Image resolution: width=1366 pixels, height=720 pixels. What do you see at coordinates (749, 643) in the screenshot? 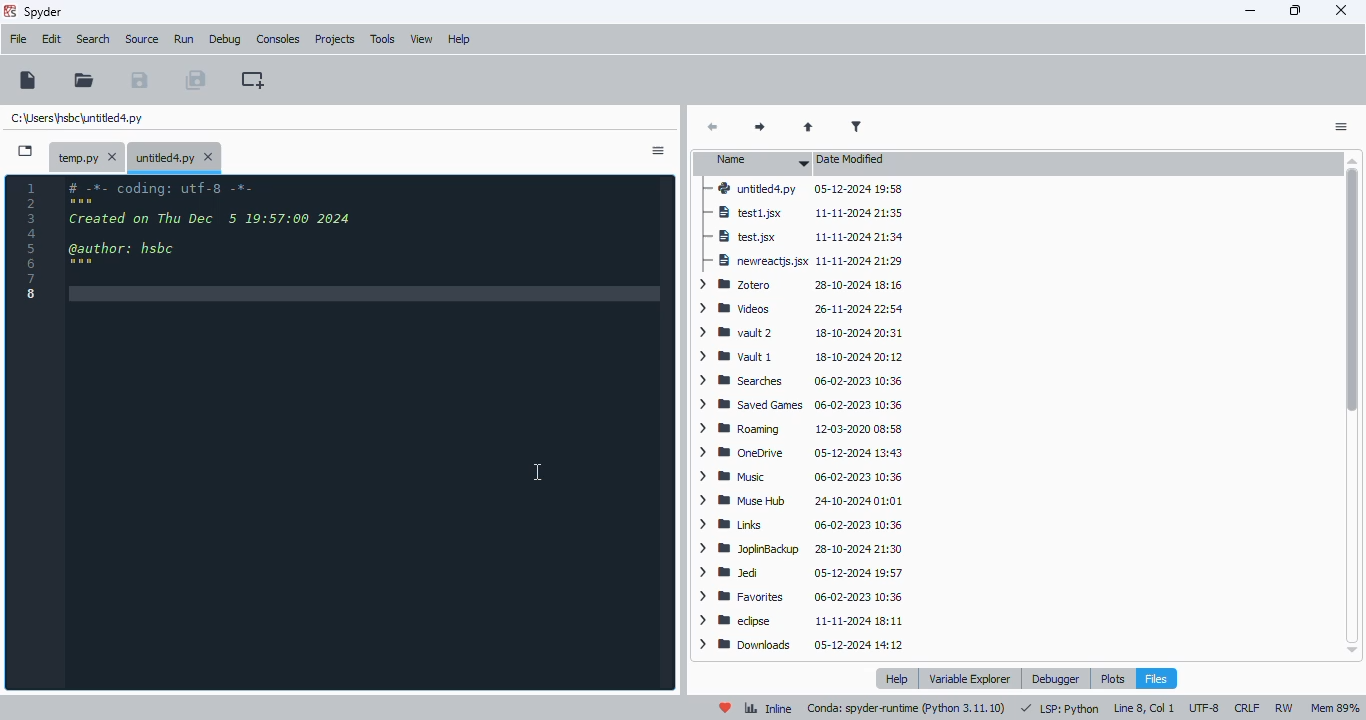
I see `downloads` at bounding box center [749, 643].